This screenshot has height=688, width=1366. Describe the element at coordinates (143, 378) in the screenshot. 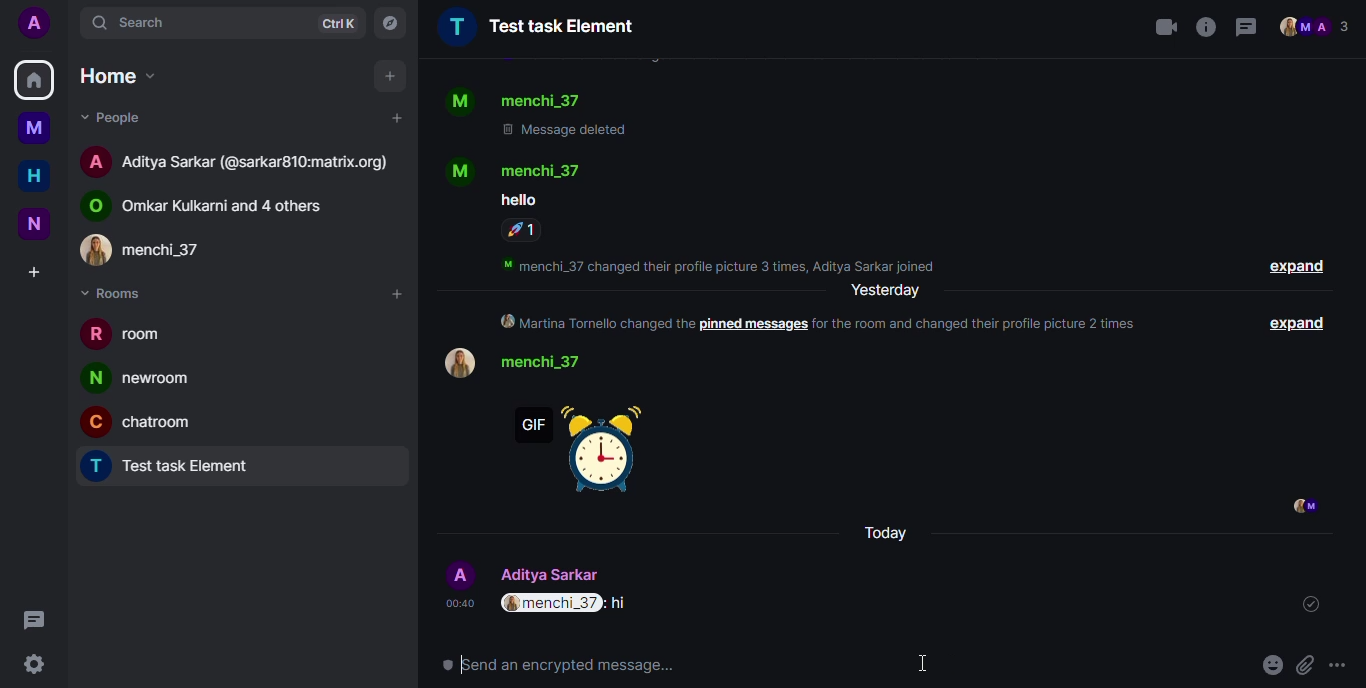

I see `newroom` at that location.